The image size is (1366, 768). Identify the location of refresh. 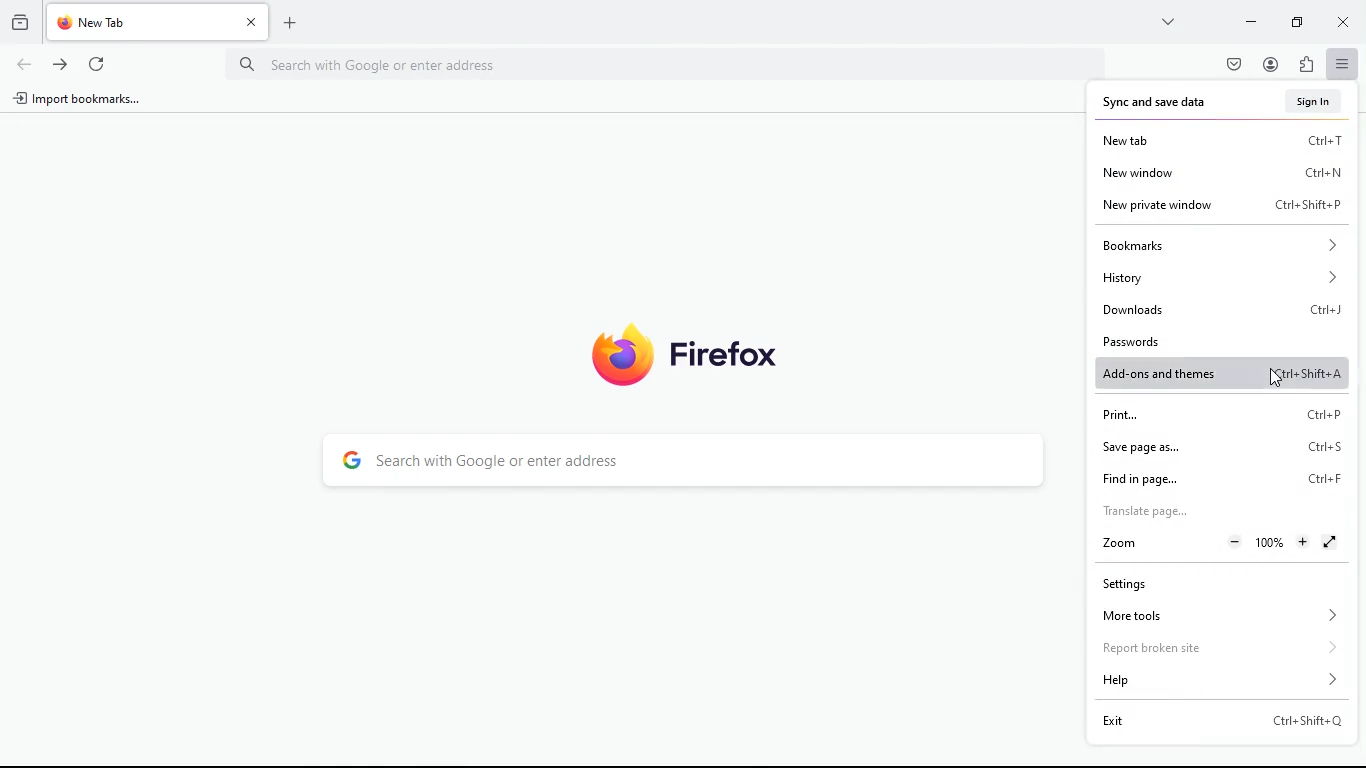
(102, 66).